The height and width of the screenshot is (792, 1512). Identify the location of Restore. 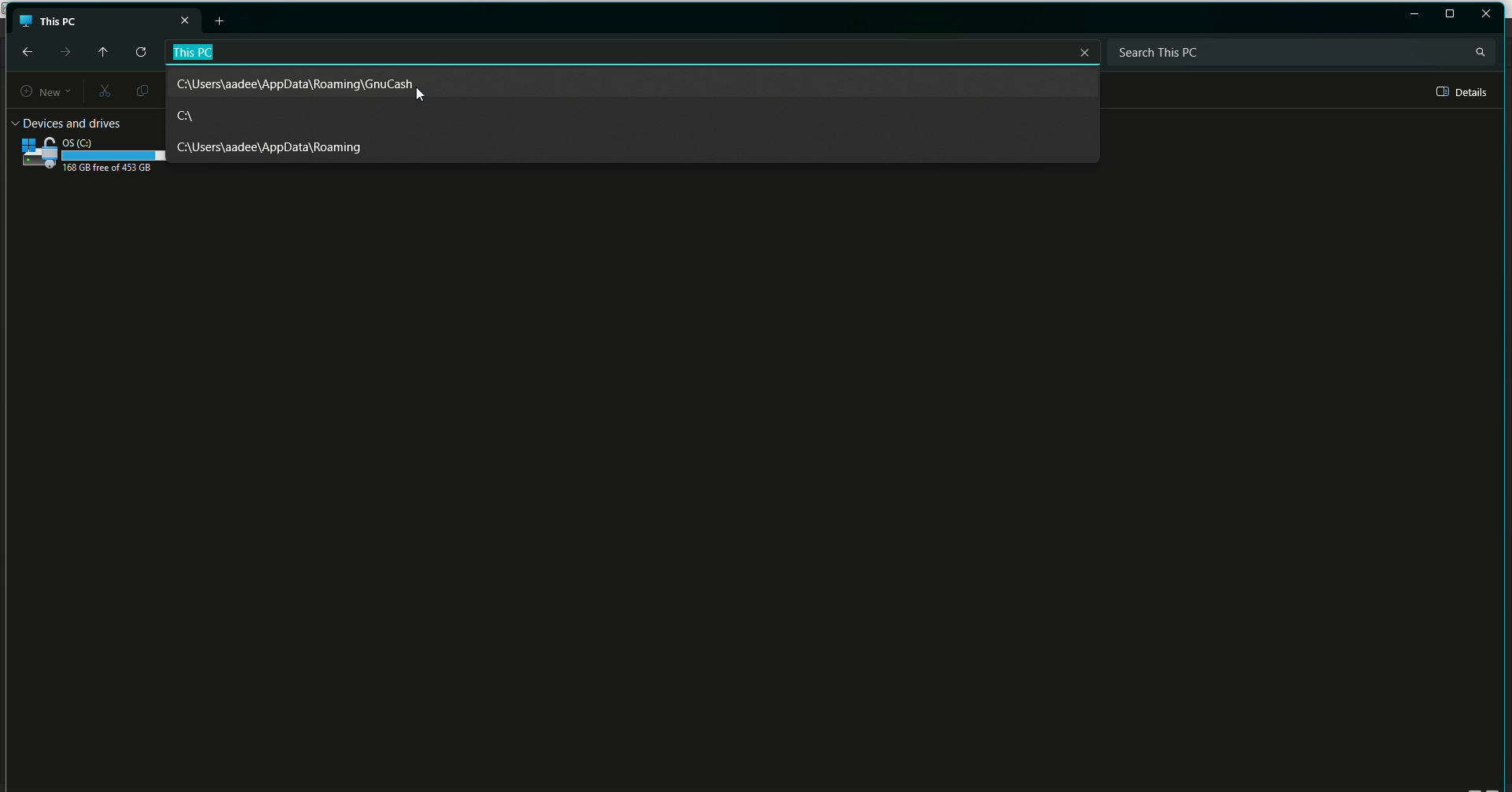
(1414, 15).